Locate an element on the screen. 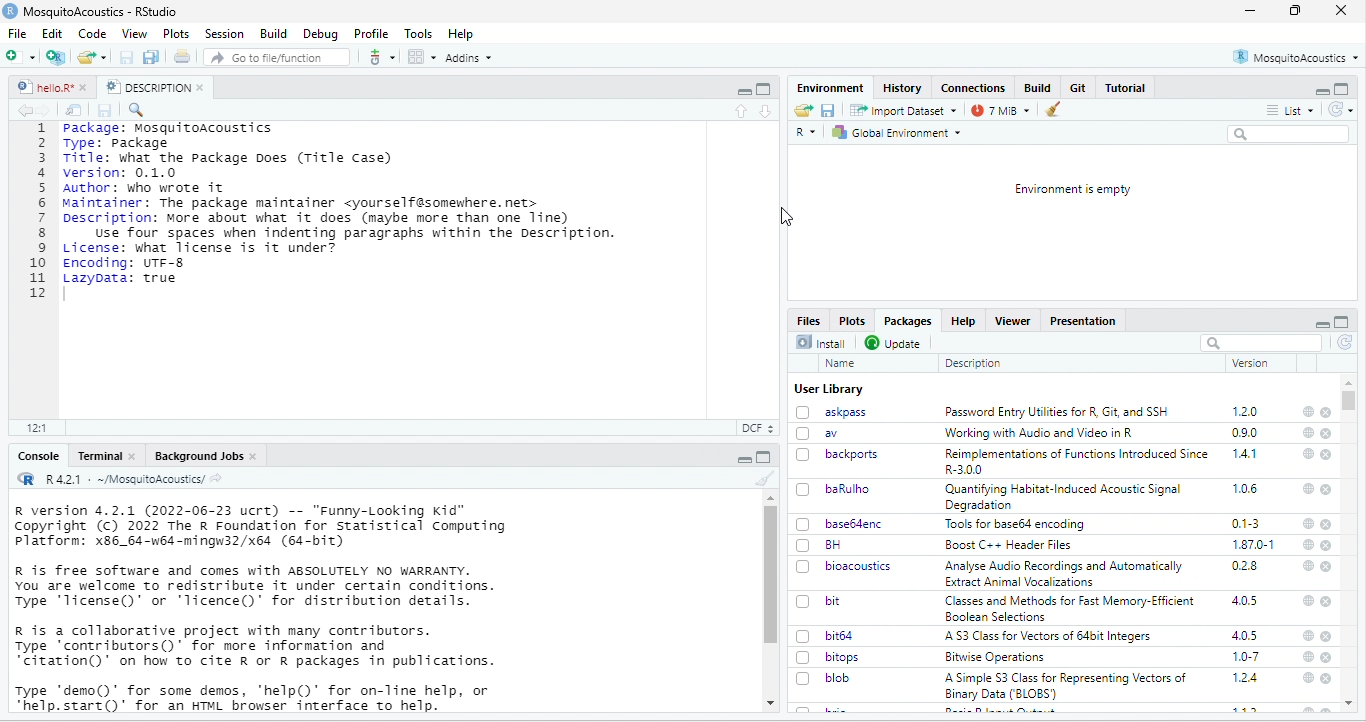  blob is located at coordinates (827, 678).